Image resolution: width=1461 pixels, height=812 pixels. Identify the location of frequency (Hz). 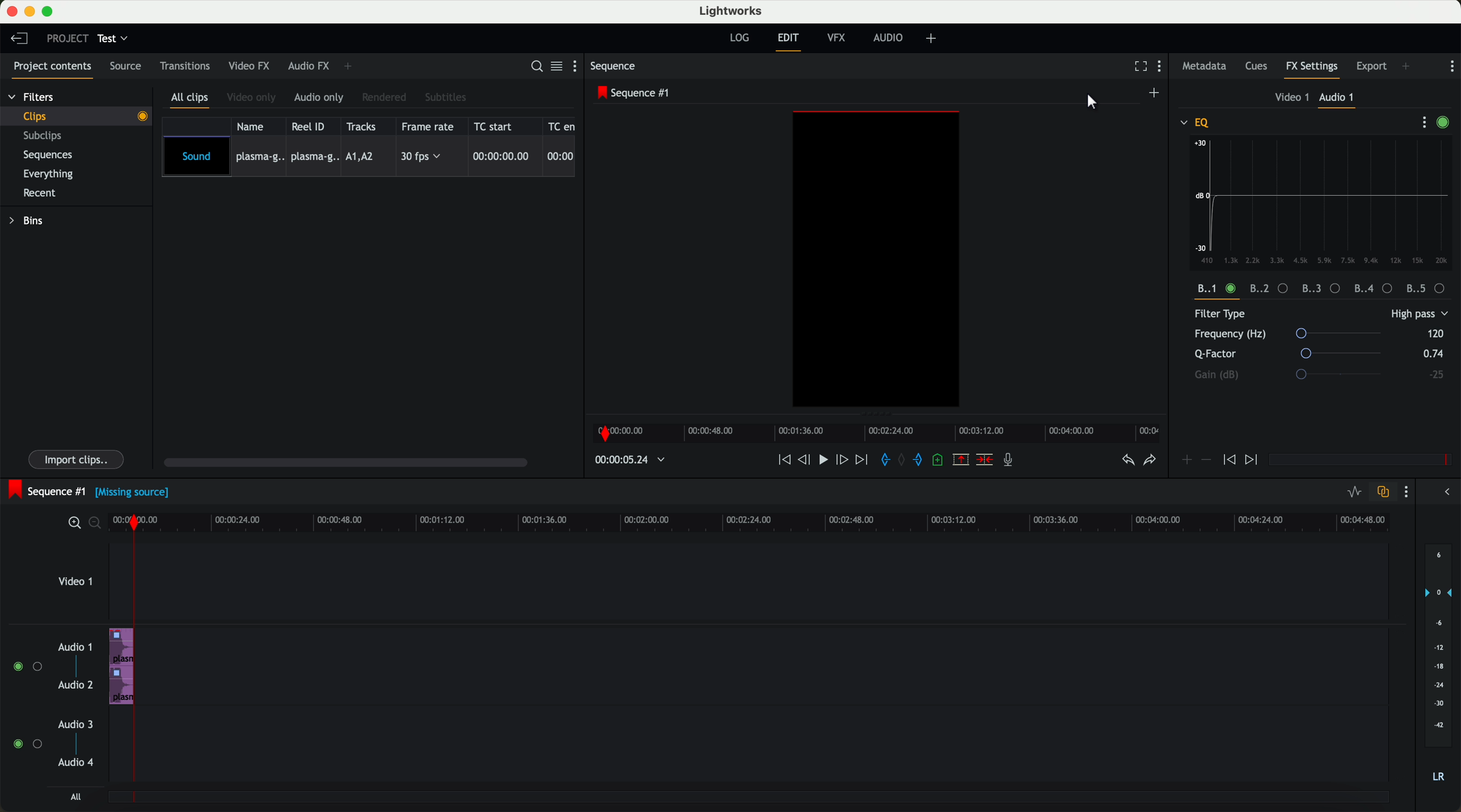
(1293, 335).